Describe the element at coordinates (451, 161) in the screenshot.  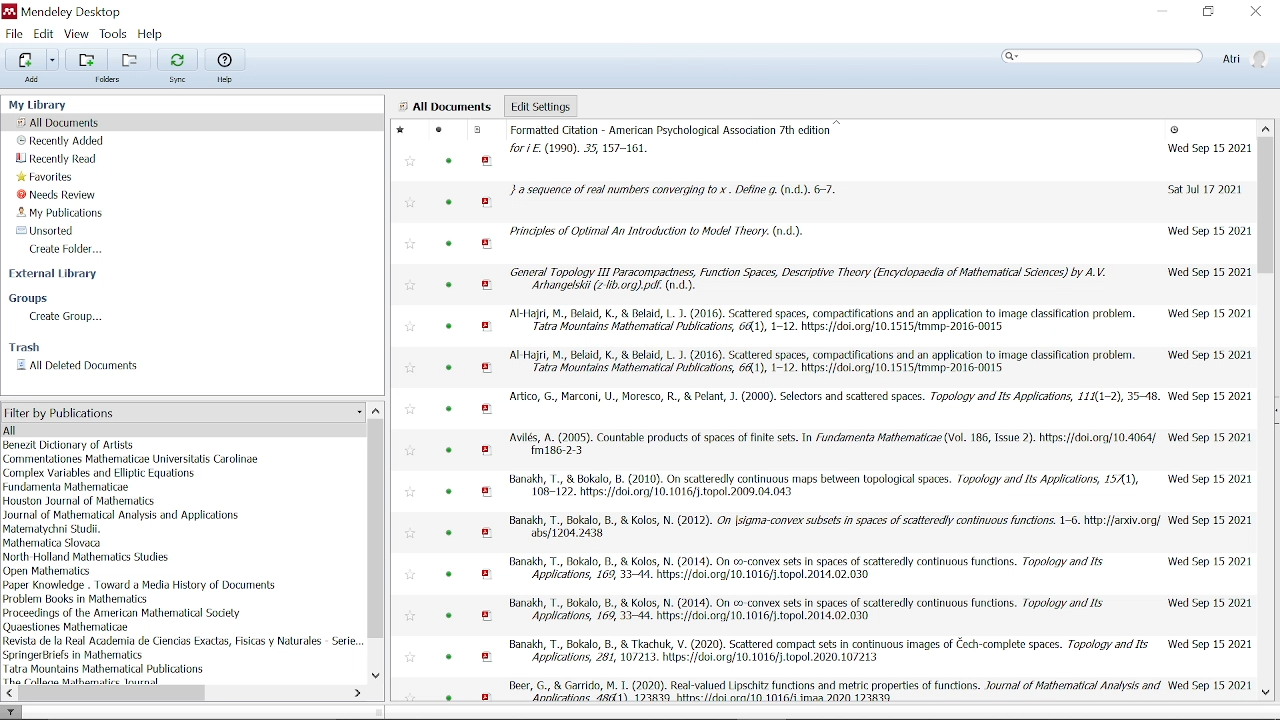
I see `read status` at that location.